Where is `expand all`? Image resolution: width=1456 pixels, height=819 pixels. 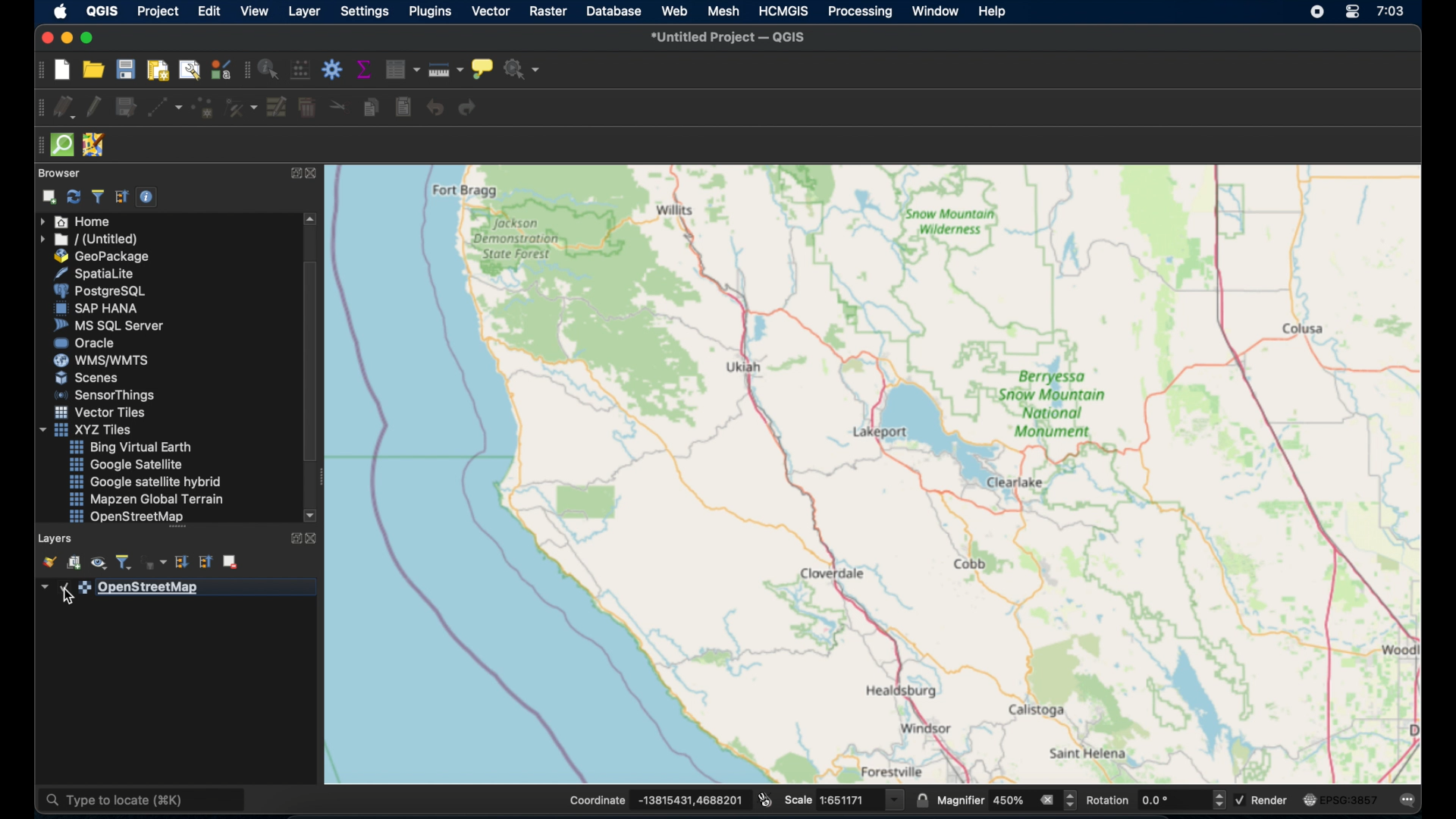 expand all is located at coordinates (181, 563).